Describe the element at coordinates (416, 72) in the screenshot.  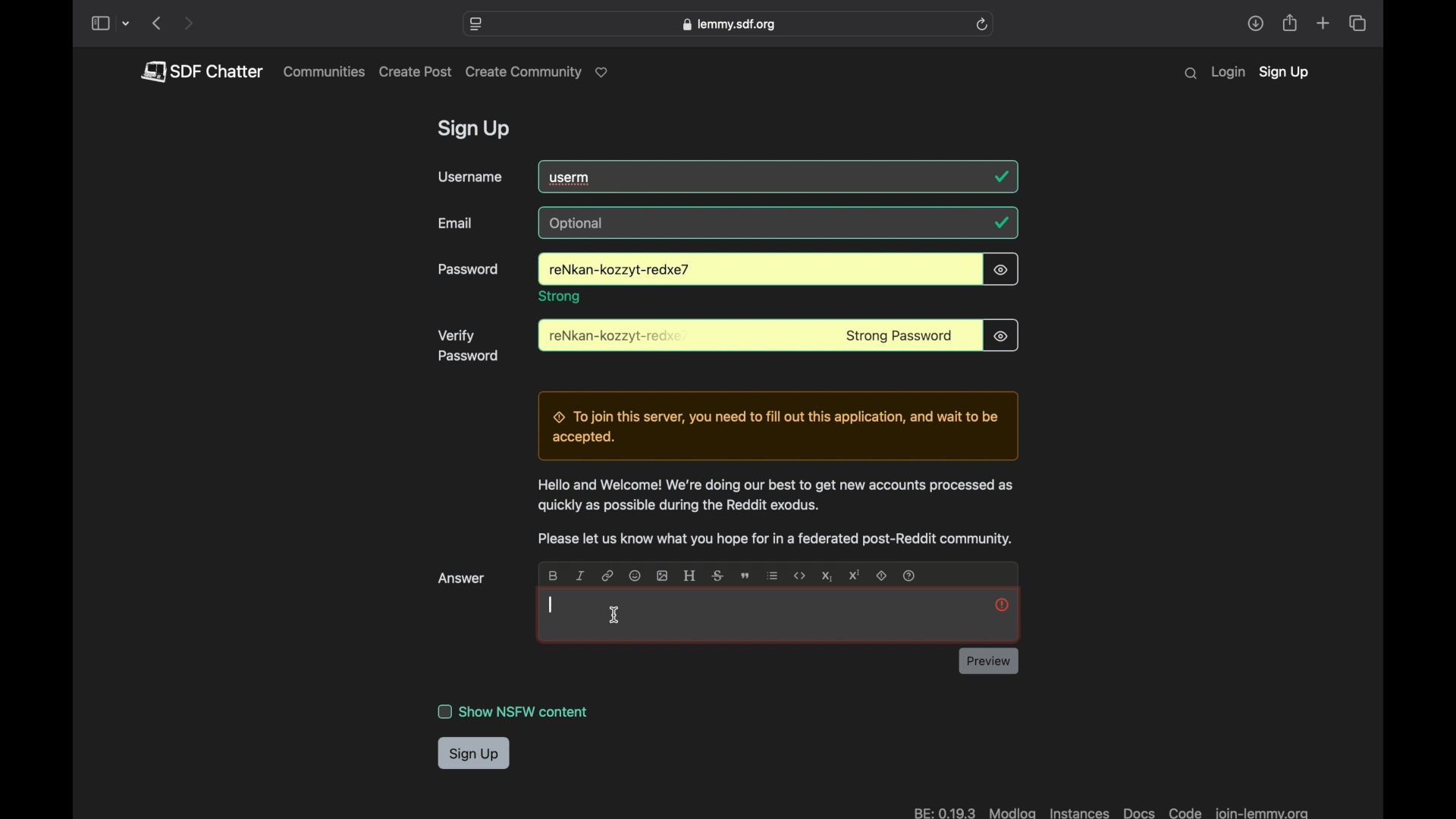
I see `create post` at that location.